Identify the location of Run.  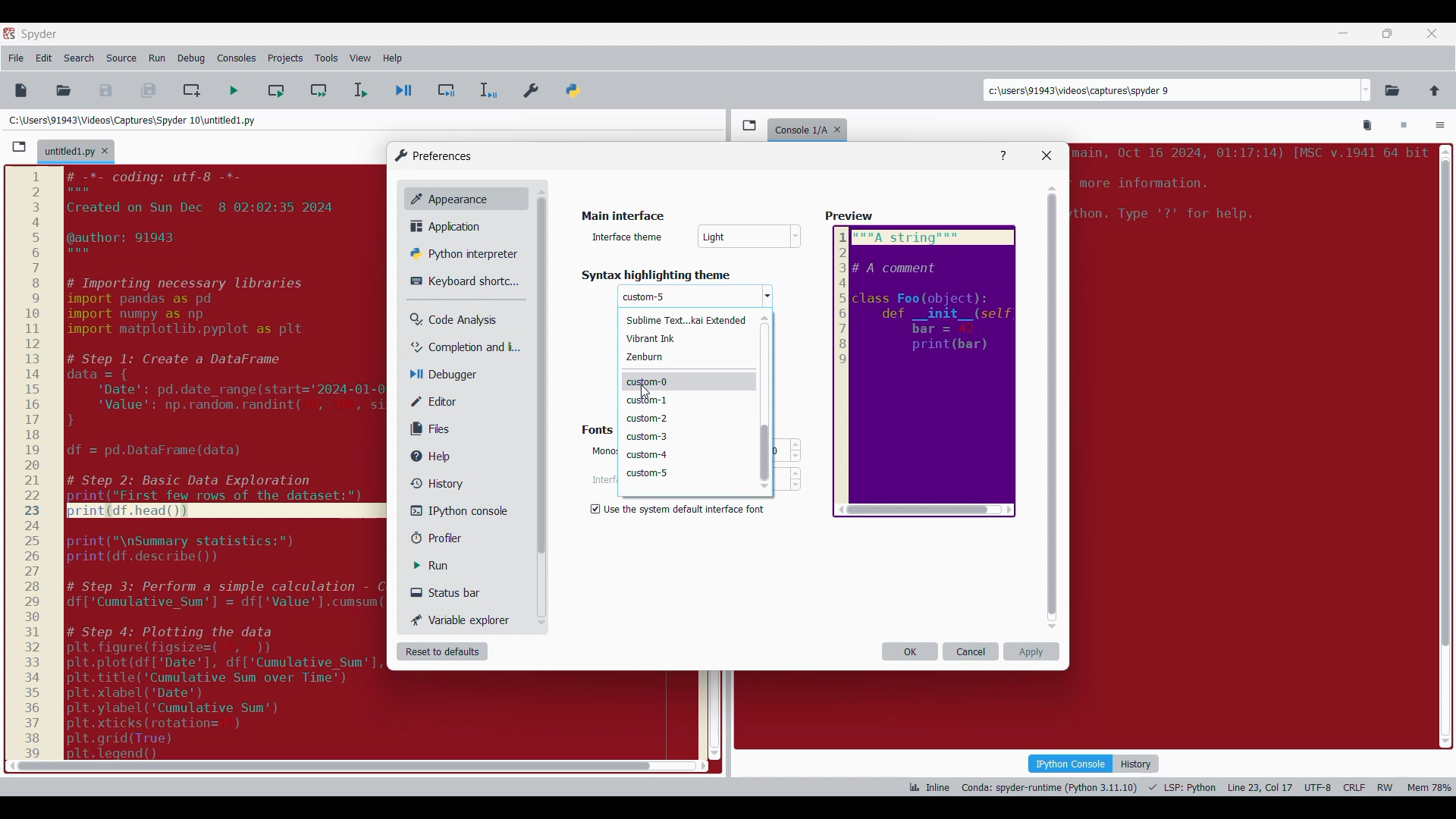
(442, 566).